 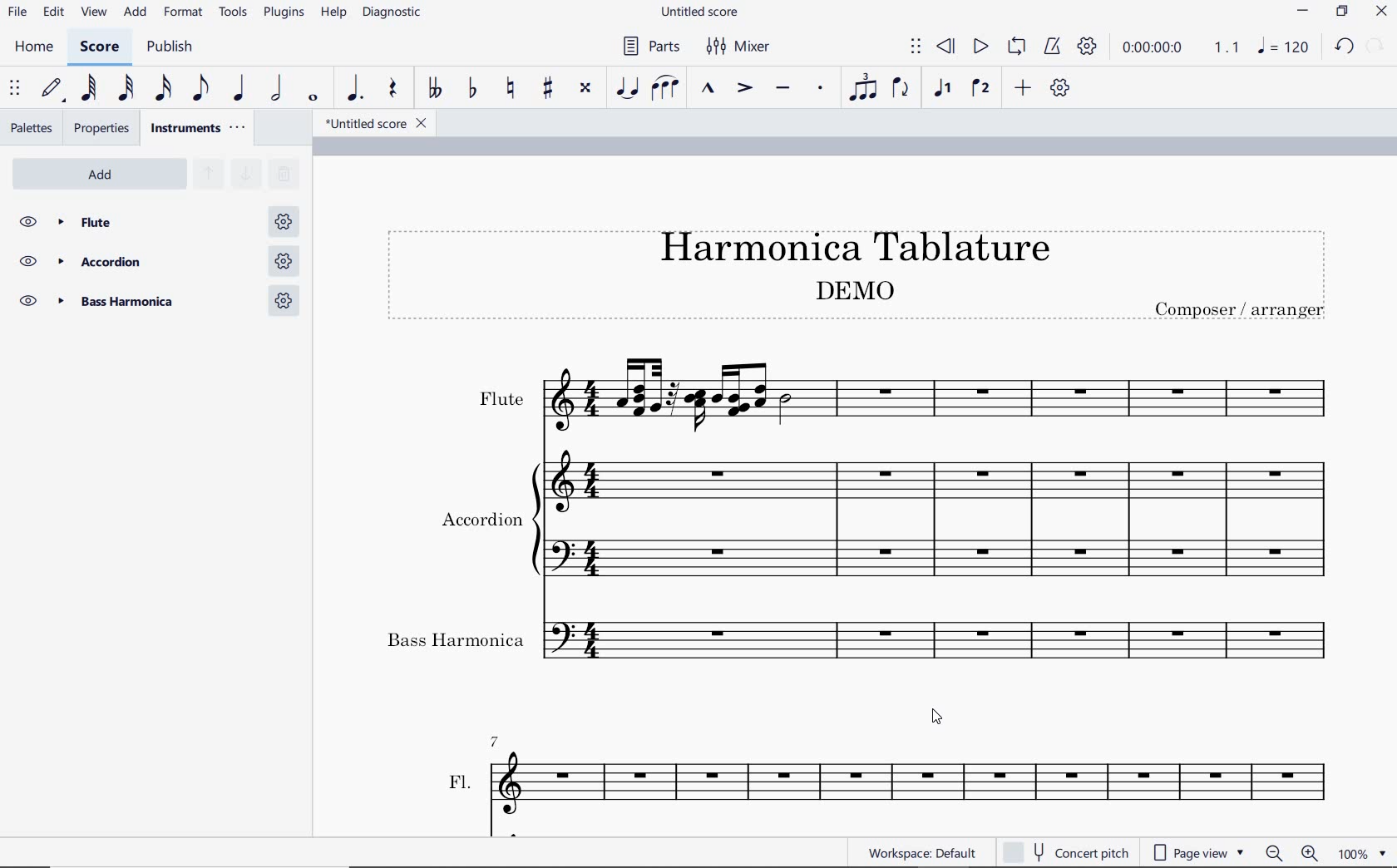 I want to click on Flute, so click(x=77, y=225).